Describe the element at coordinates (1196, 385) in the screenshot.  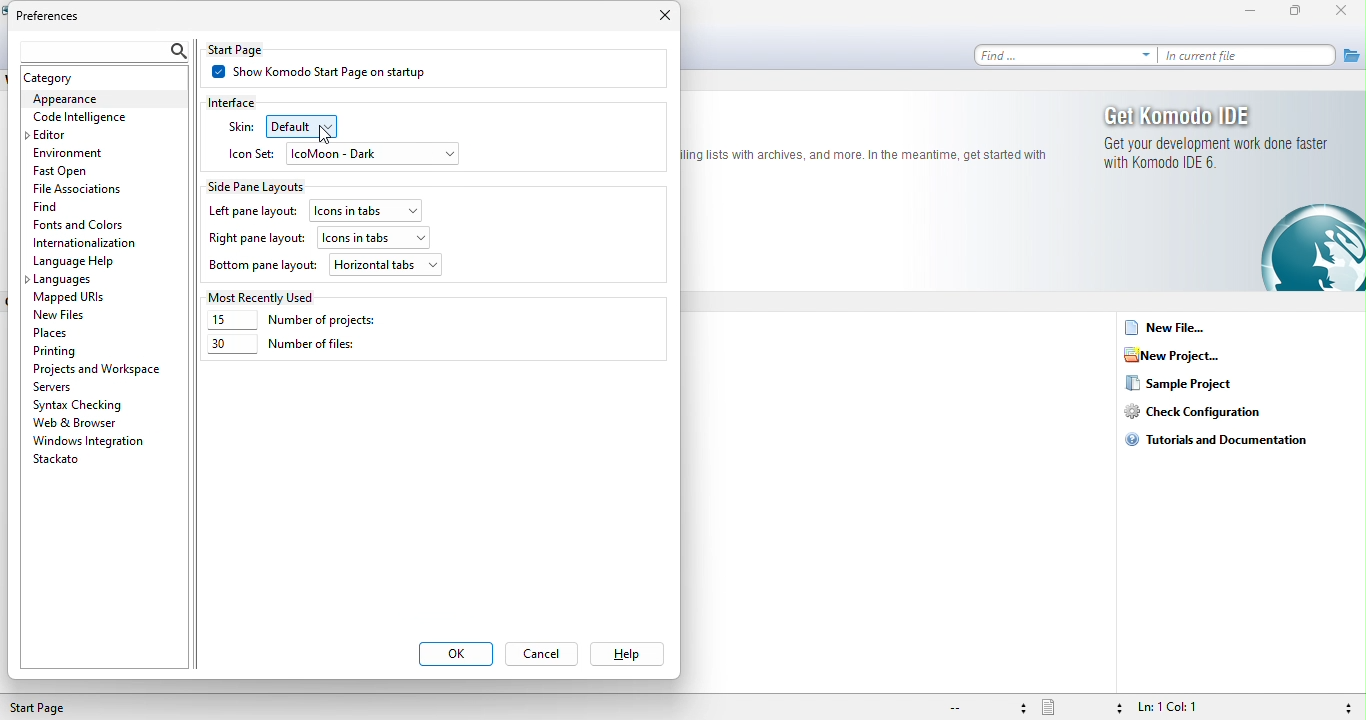
I see `sample project` at that location.